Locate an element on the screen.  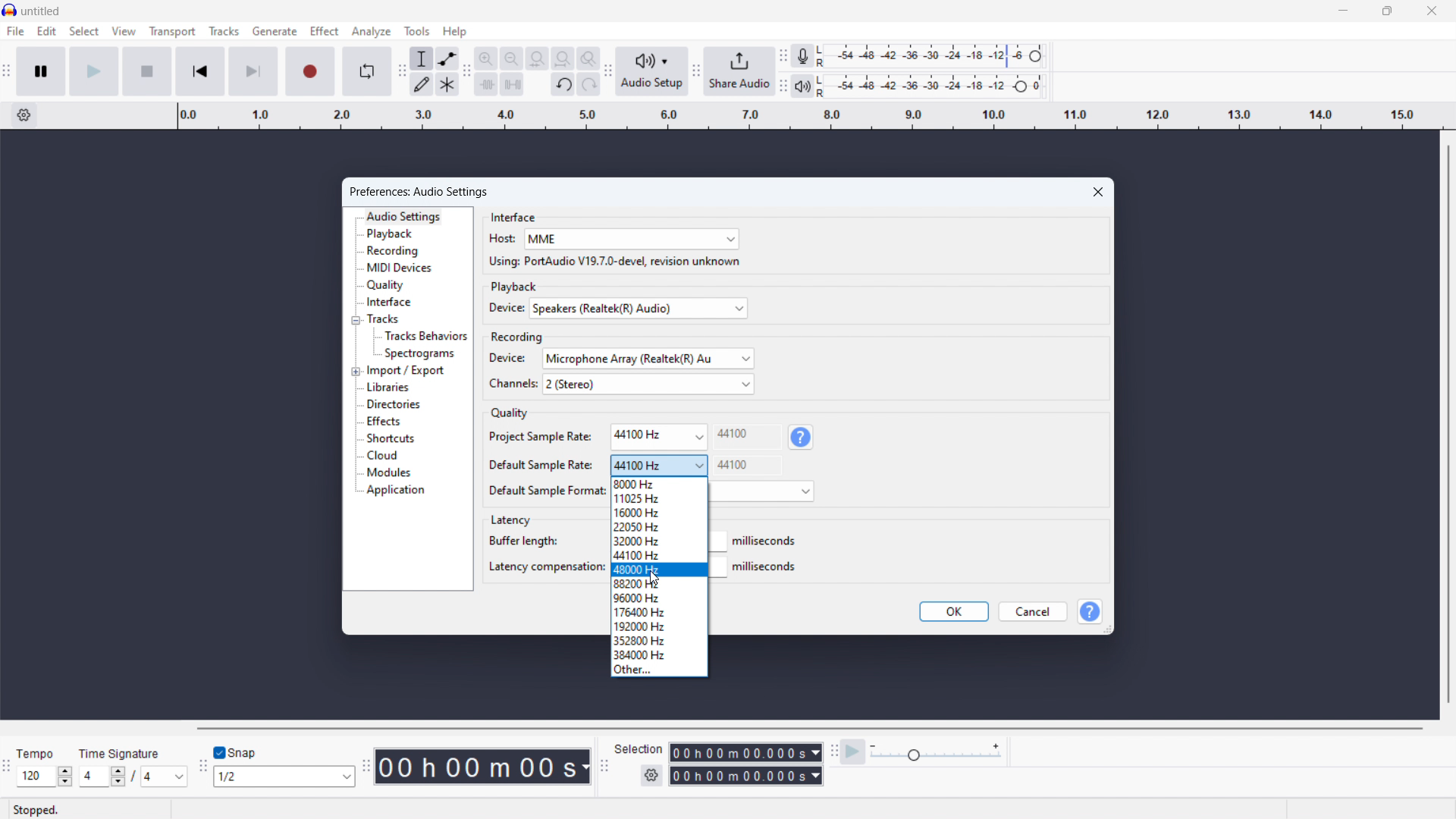
edit is located at coordinates (48, 32).